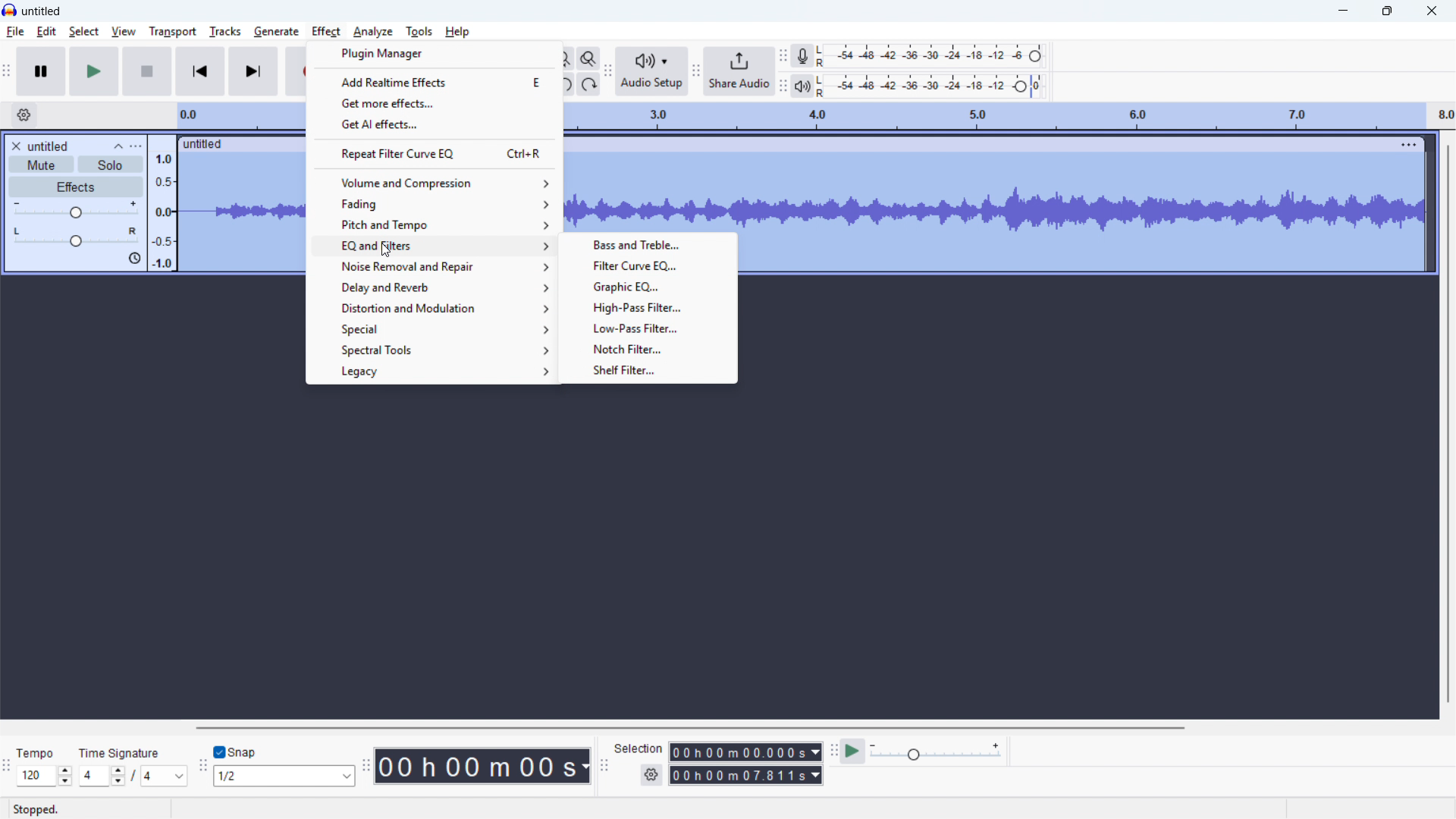 The width and height of the screenshot is (1456, 819). I want to click on Spectral tools , so click(431, 350).